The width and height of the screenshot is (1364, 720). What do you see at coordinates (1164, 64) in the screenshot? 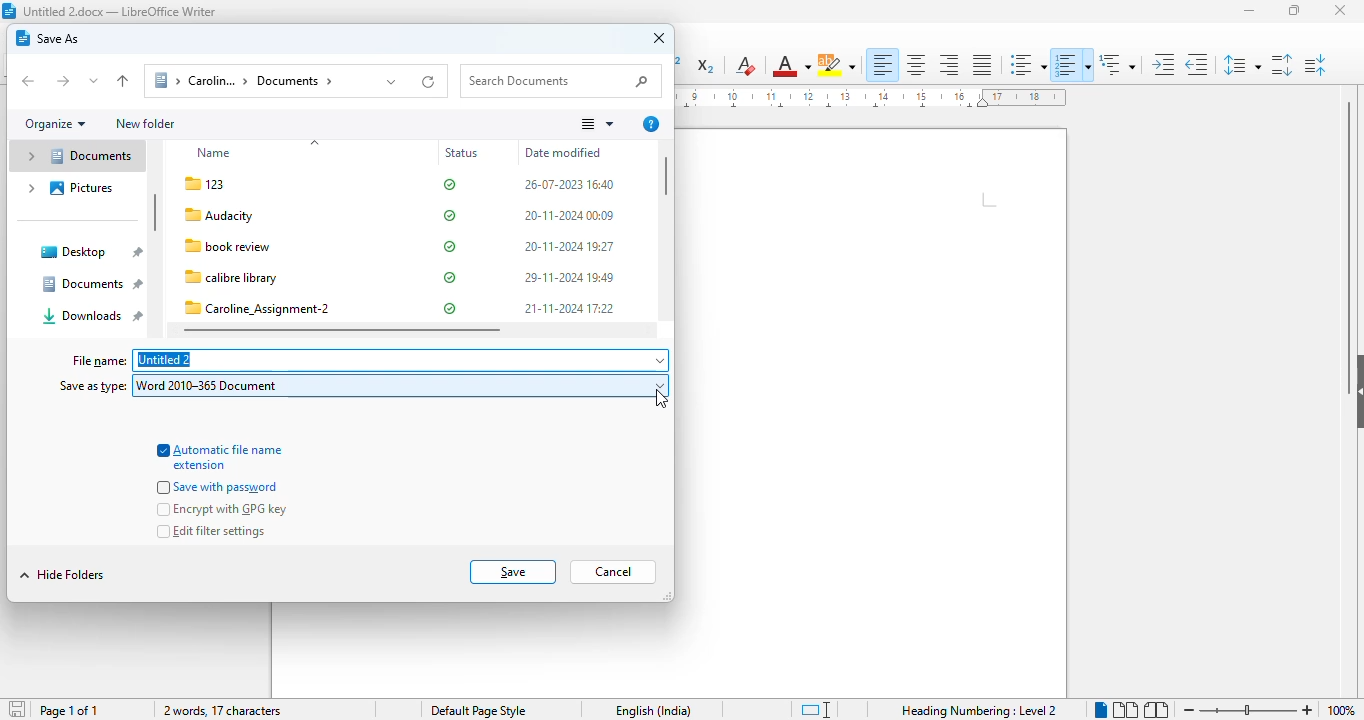
I see `increase indent` at bounding box center [1164, 64].